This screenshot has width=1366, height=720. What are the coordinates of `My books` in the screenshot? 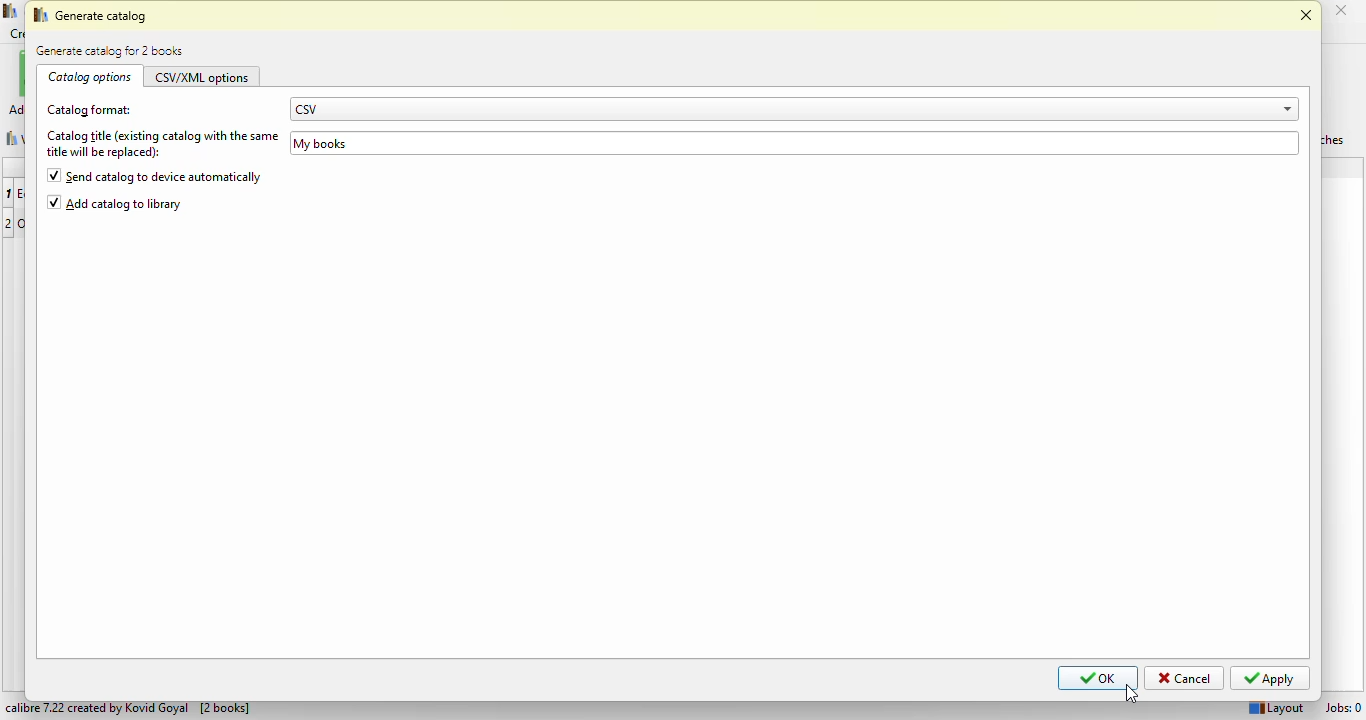 It's located at (795, 143).